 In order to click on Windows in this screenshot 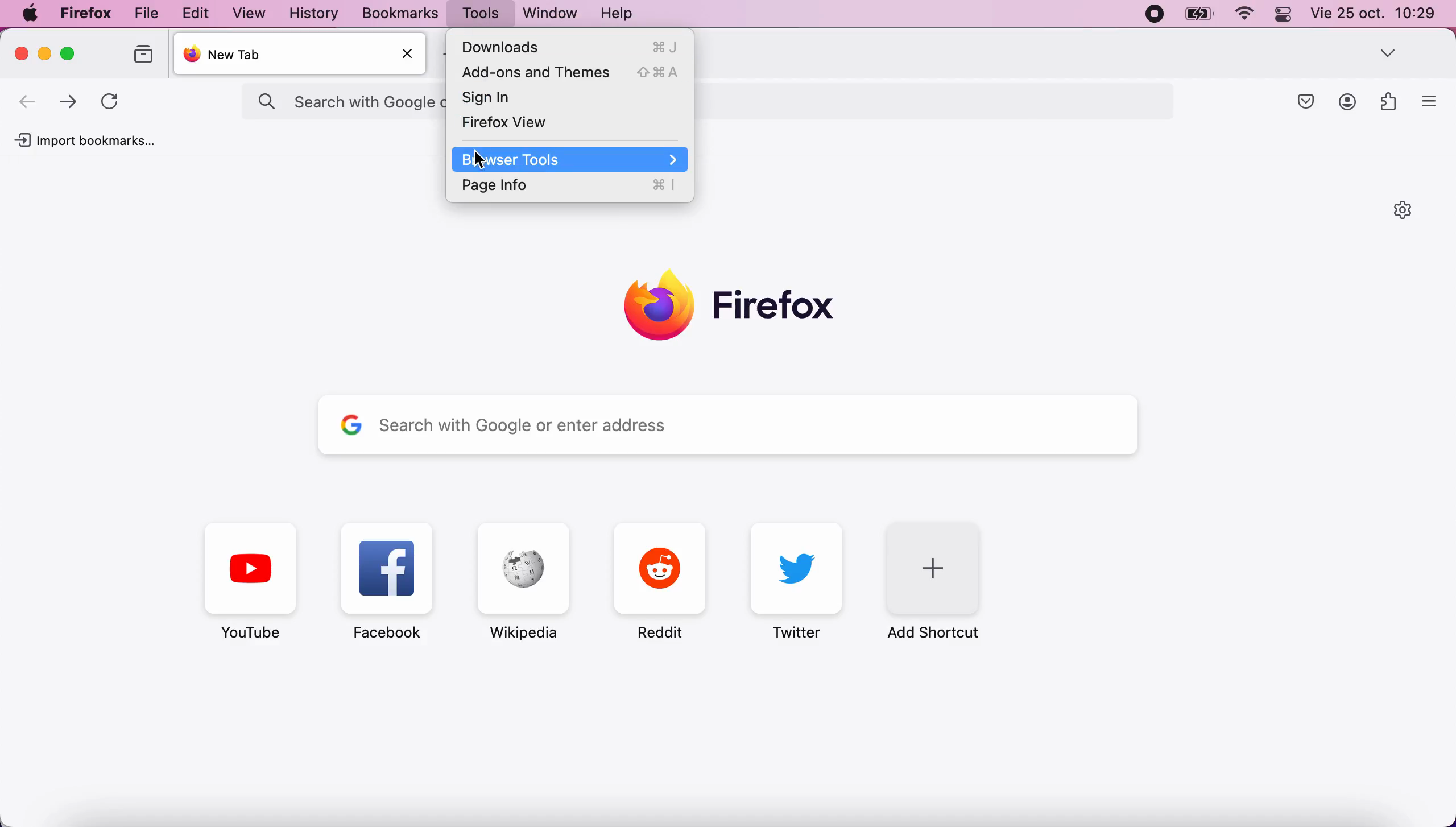, I will do `click(552, 13)`.